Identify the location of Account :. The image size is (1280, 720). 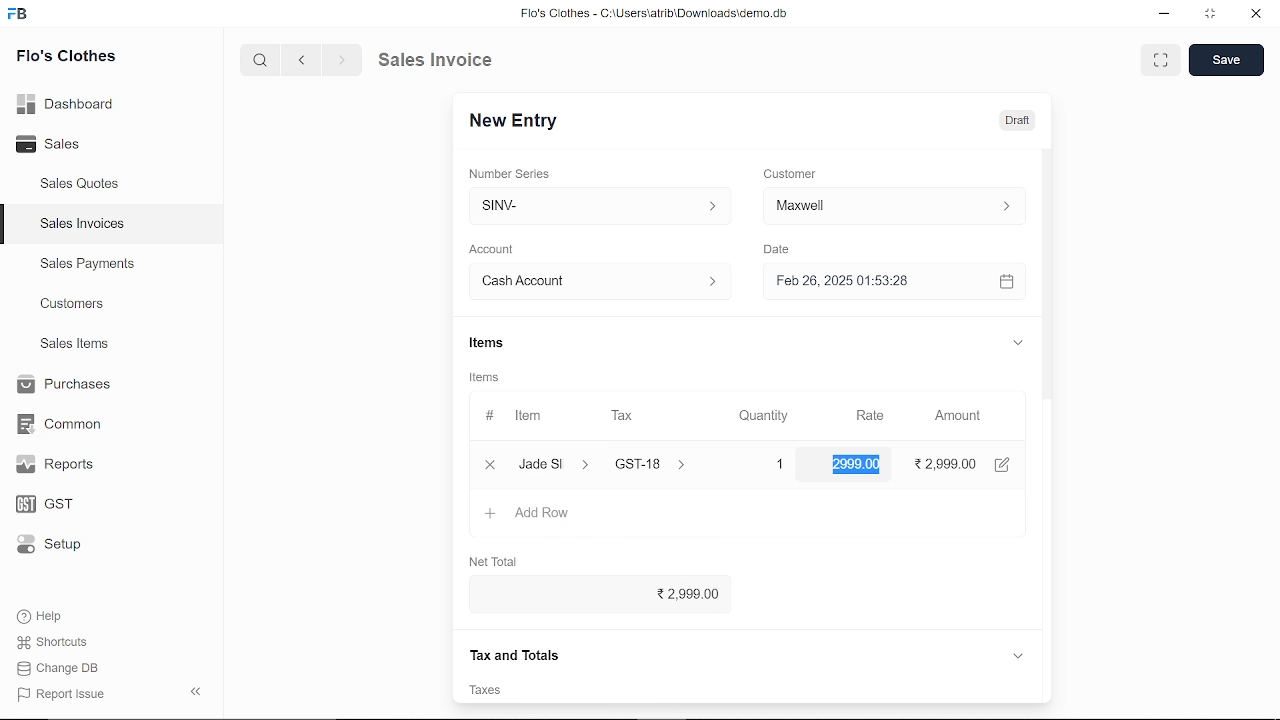
(598, 280).